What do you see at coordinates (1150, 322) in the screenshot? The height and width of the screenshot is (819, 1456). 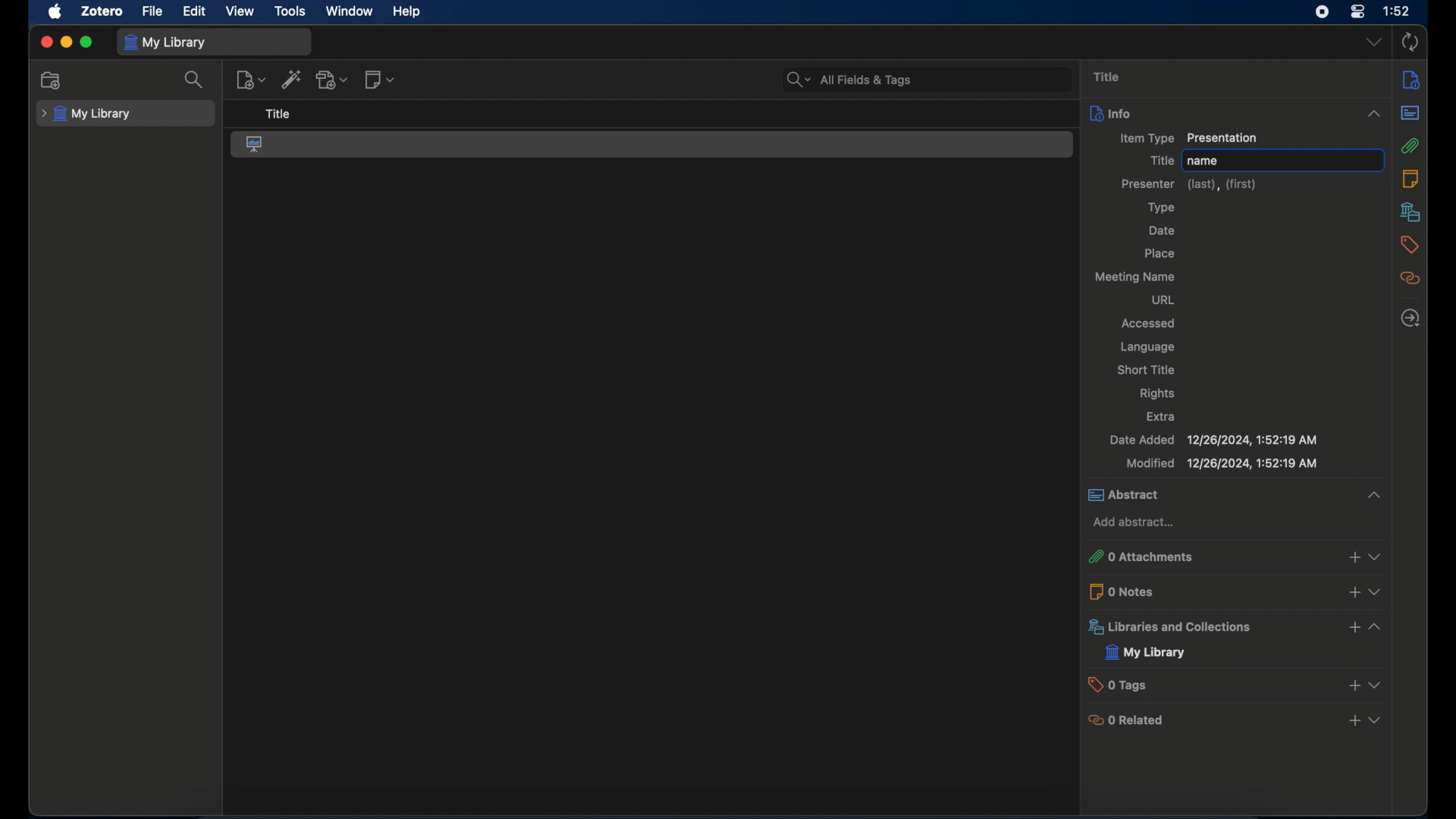 I see `accessed` at bounding box center [1150, 322].